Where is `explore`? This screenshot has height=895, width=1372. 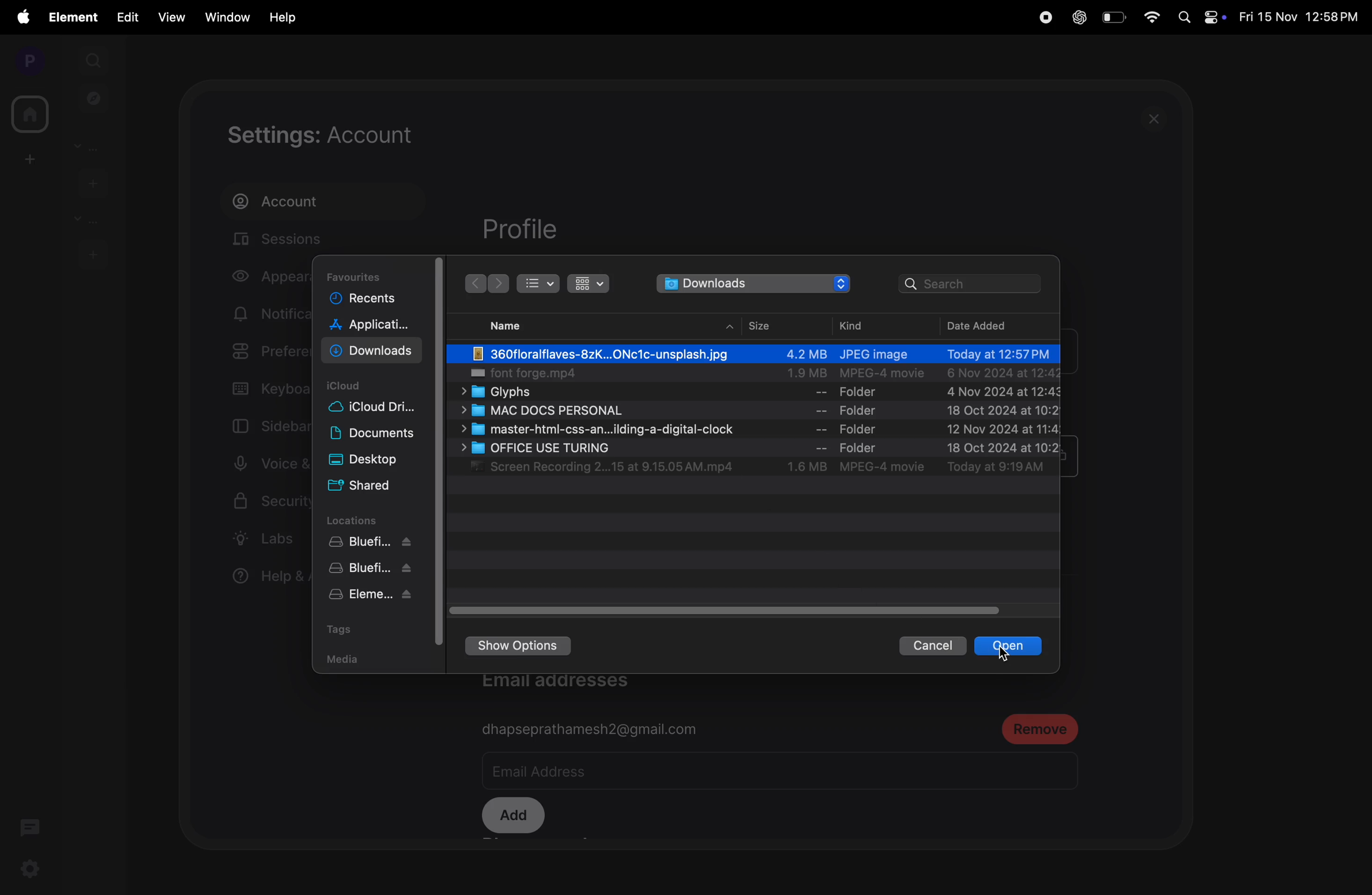 explore is located at coordinates (94, 97).